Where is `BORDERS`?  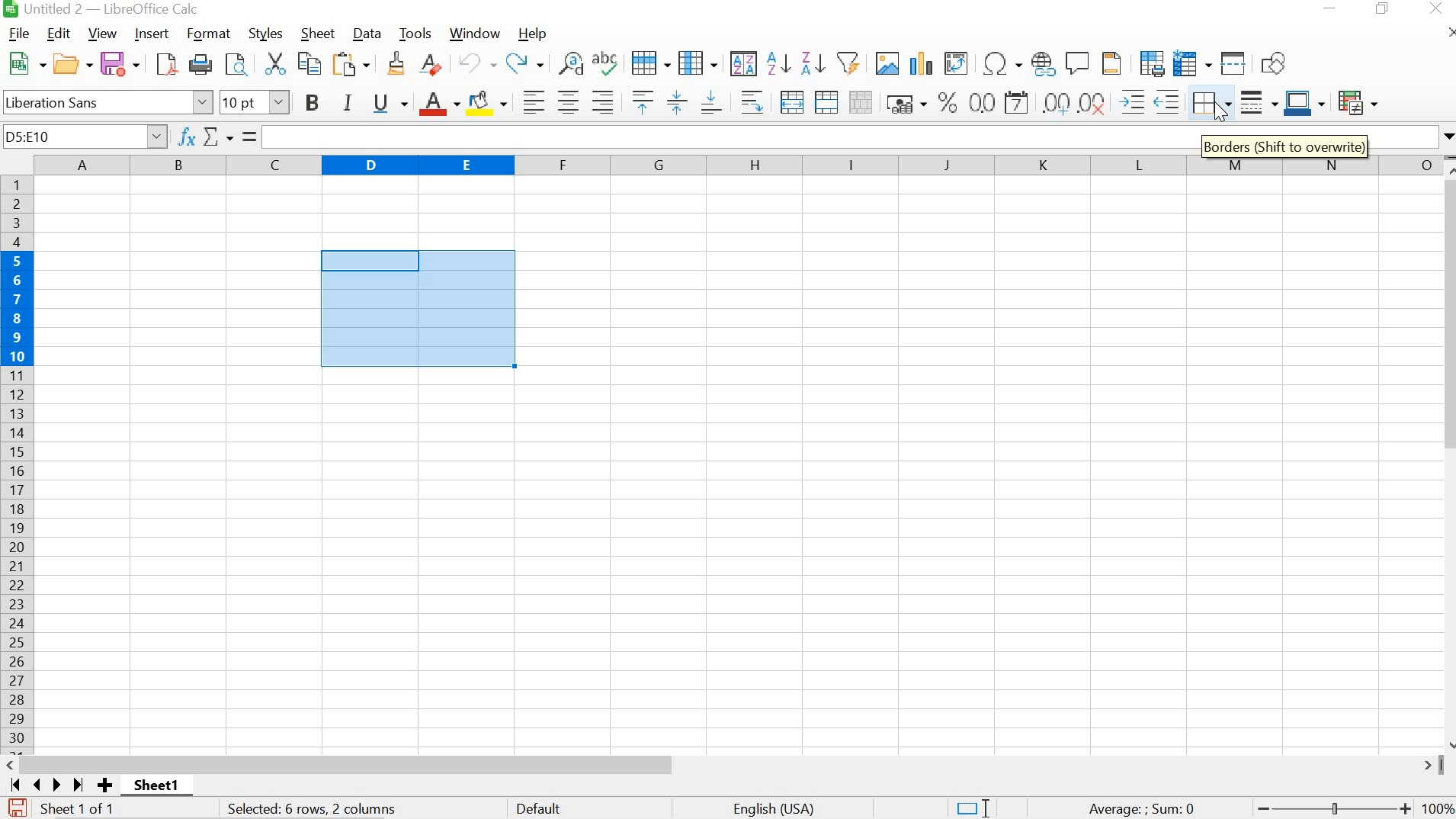
BORDERS is located at coordinates (1214, 104).